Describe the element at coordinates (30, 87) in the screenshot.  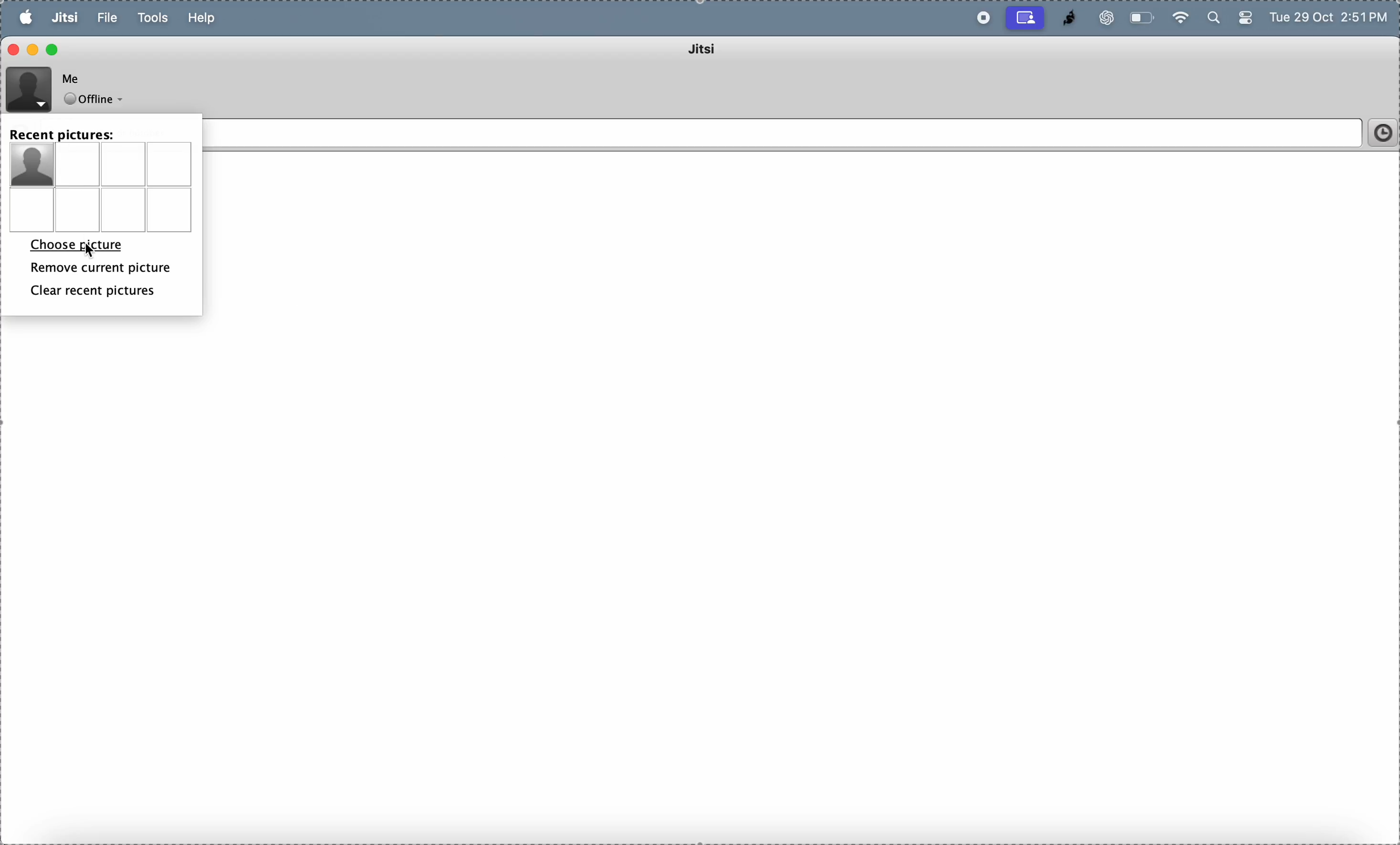
I see `profile` at that location.